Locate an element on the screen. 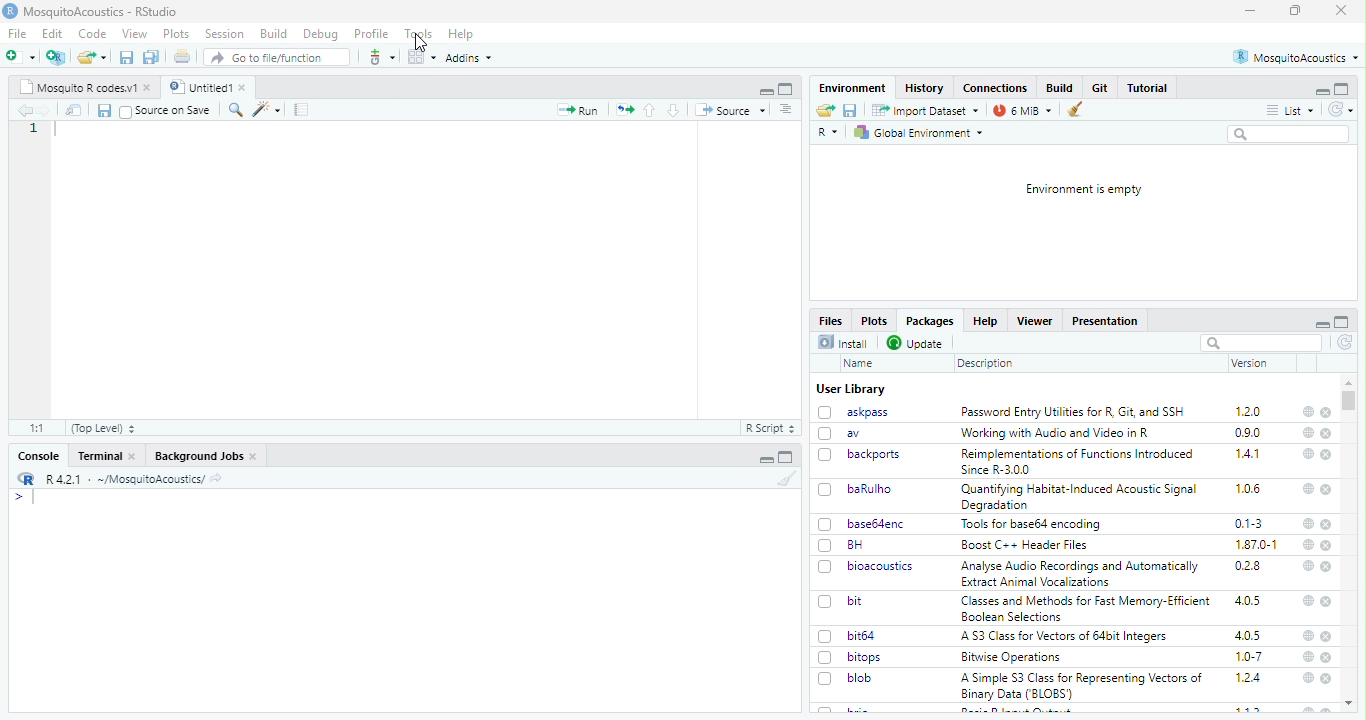 The image size is (1366, 720). open file is located at coordinates (21, 57).